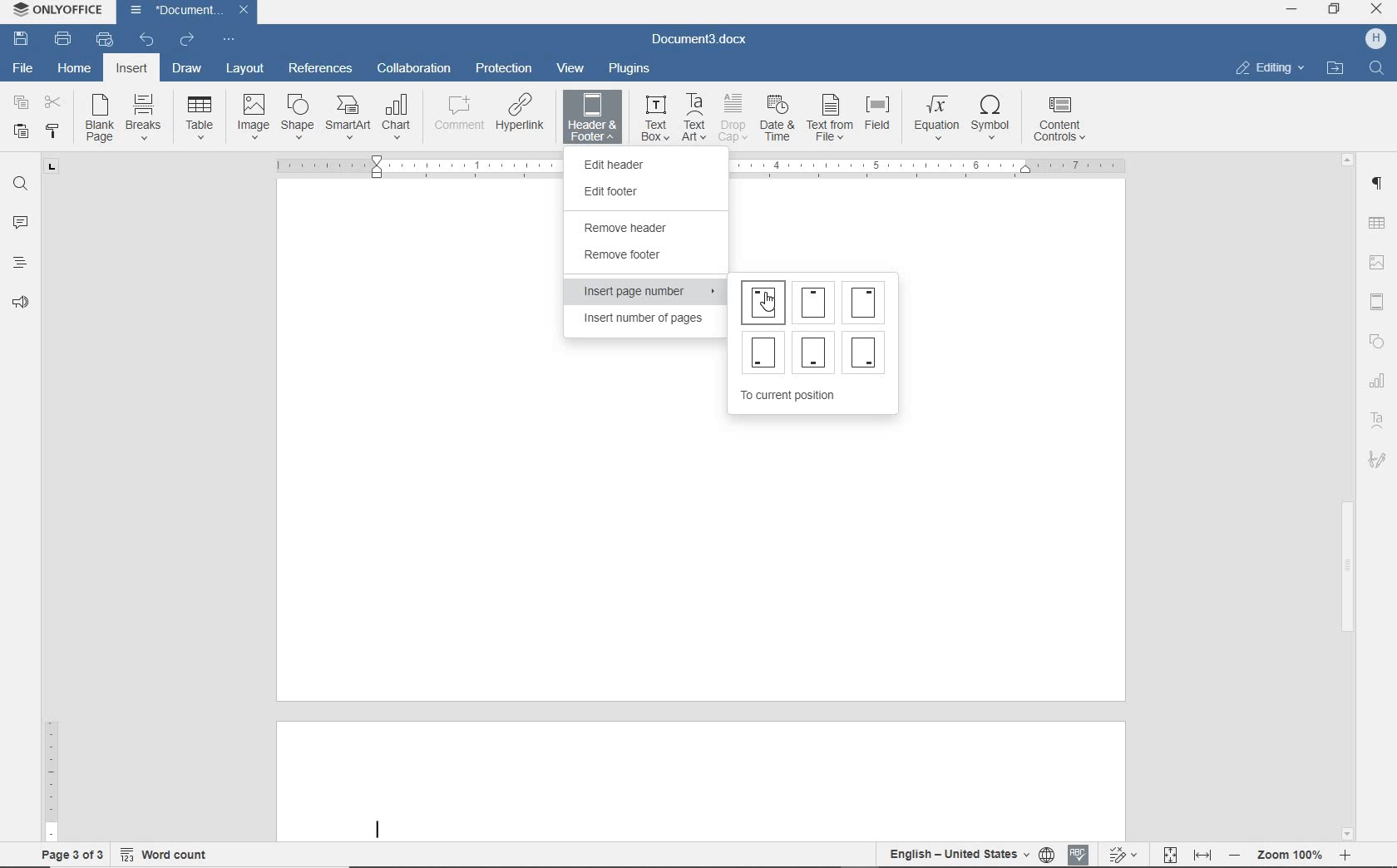 This screenshot has width=1397, height=868. I want to click on Page number at top left, so click(763, 302).